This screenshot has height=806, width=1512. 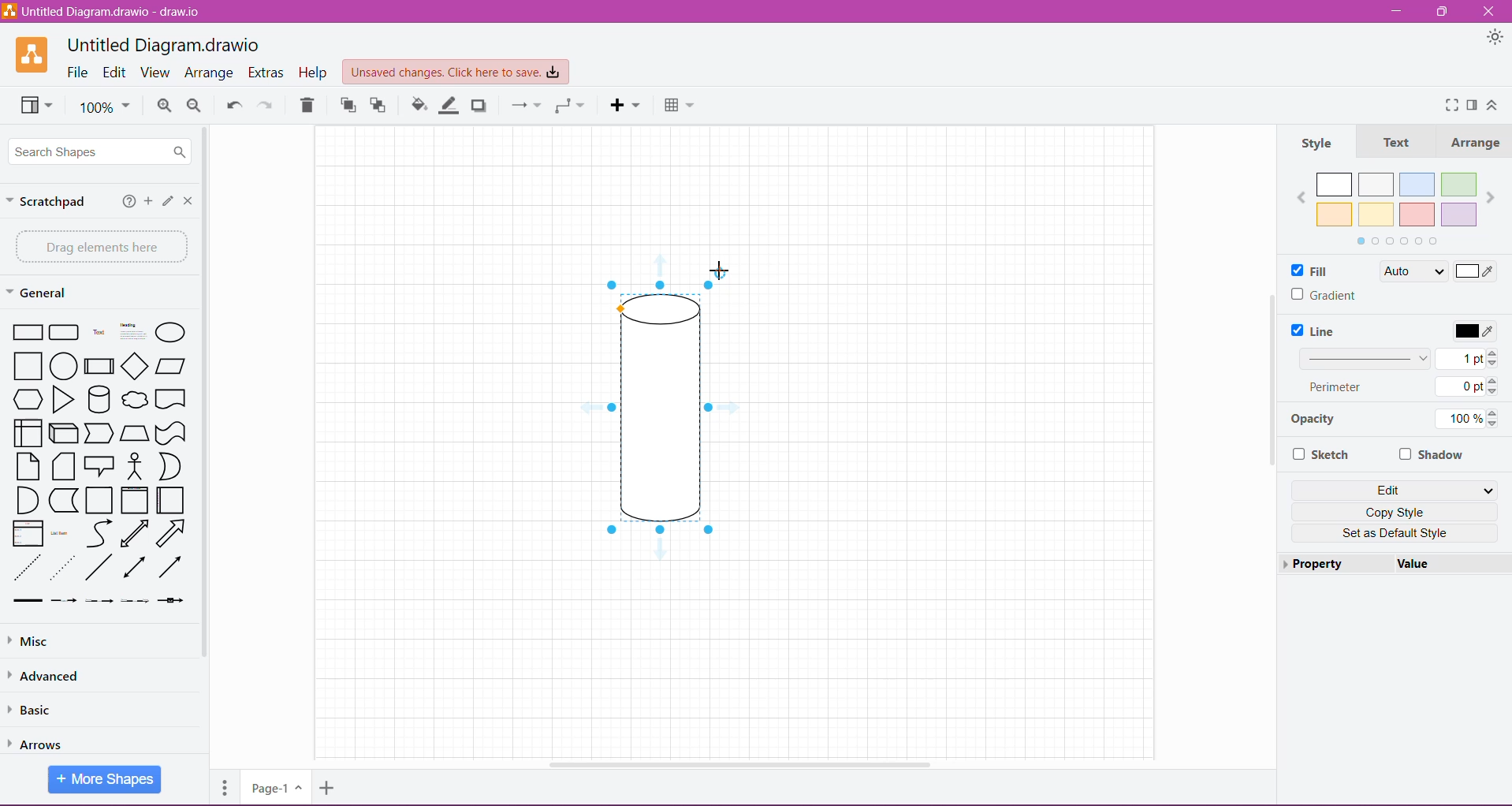 What do you see at coordinates (311, 105) in the screenshot?
I see `Delete` at bounding box center [311, 105].